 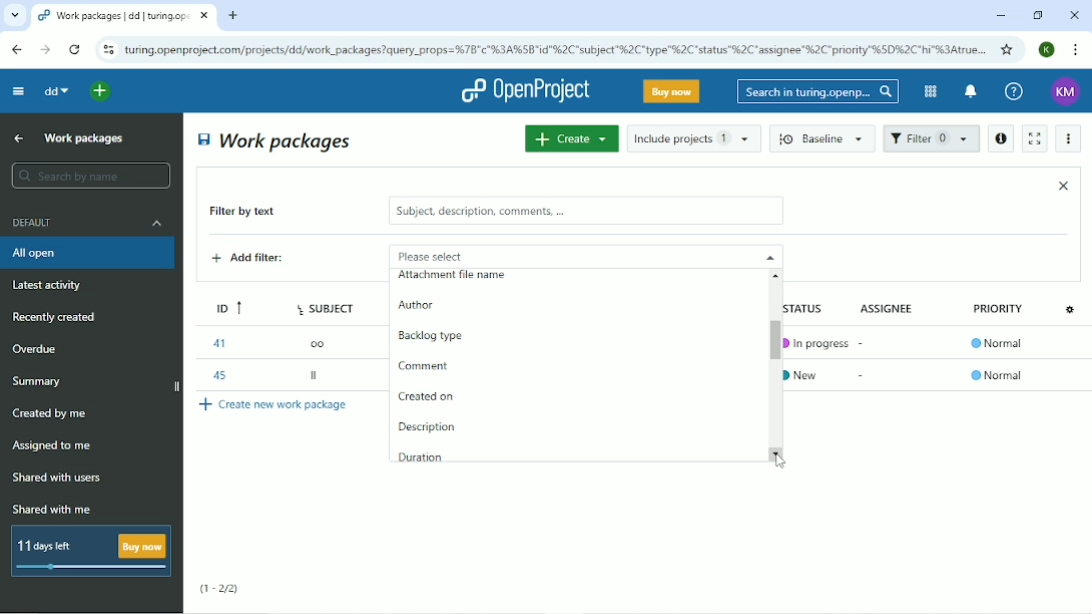 What do you see at coordinates (53, 446) in the screenshot?
I see `Assigned to me` at bounding box center [53, 446].